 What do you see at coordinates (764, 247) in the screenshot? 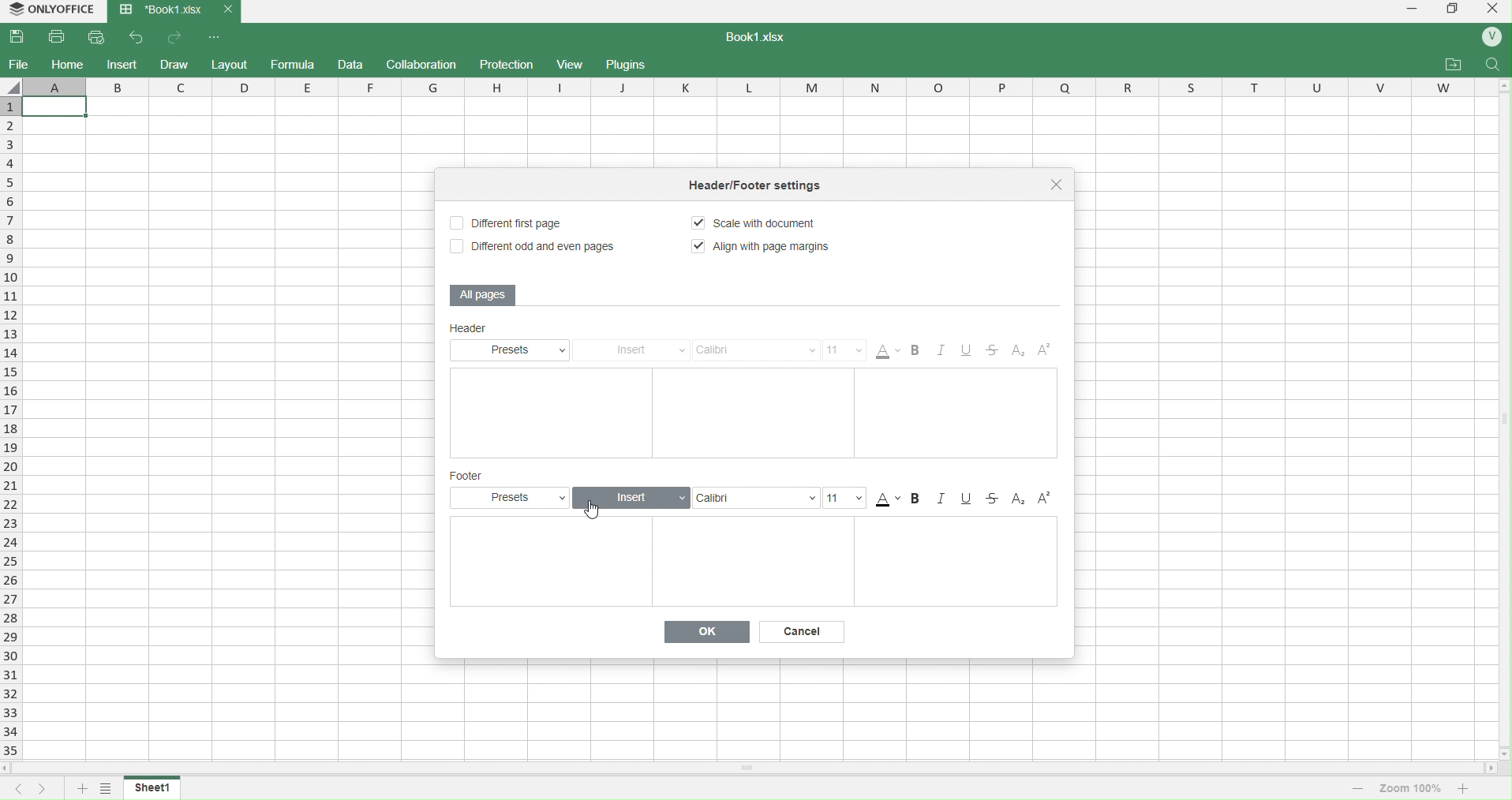
I see `Align with Page Margins` at bounding box center [764, 247].